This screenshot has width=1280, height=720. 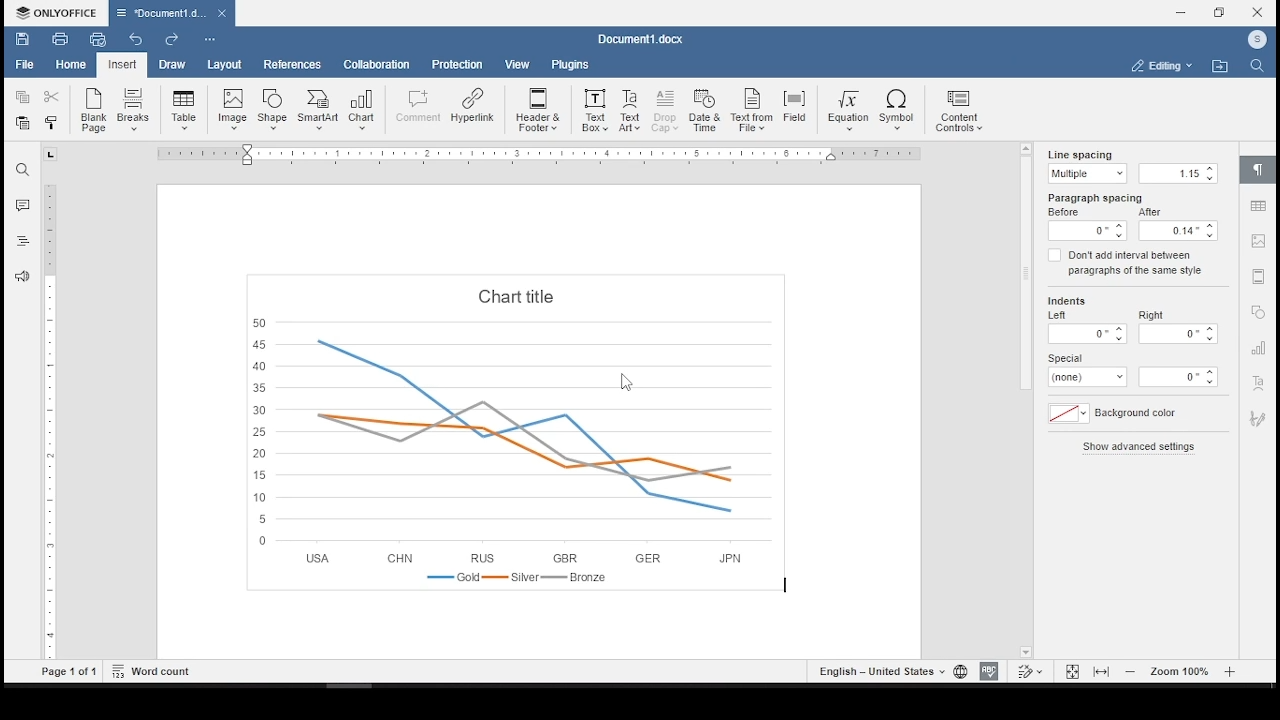 What do you see at coordinates (1021, 401) in the screenshot?
I see `scroll bar` at bounding box center [1021, 401].